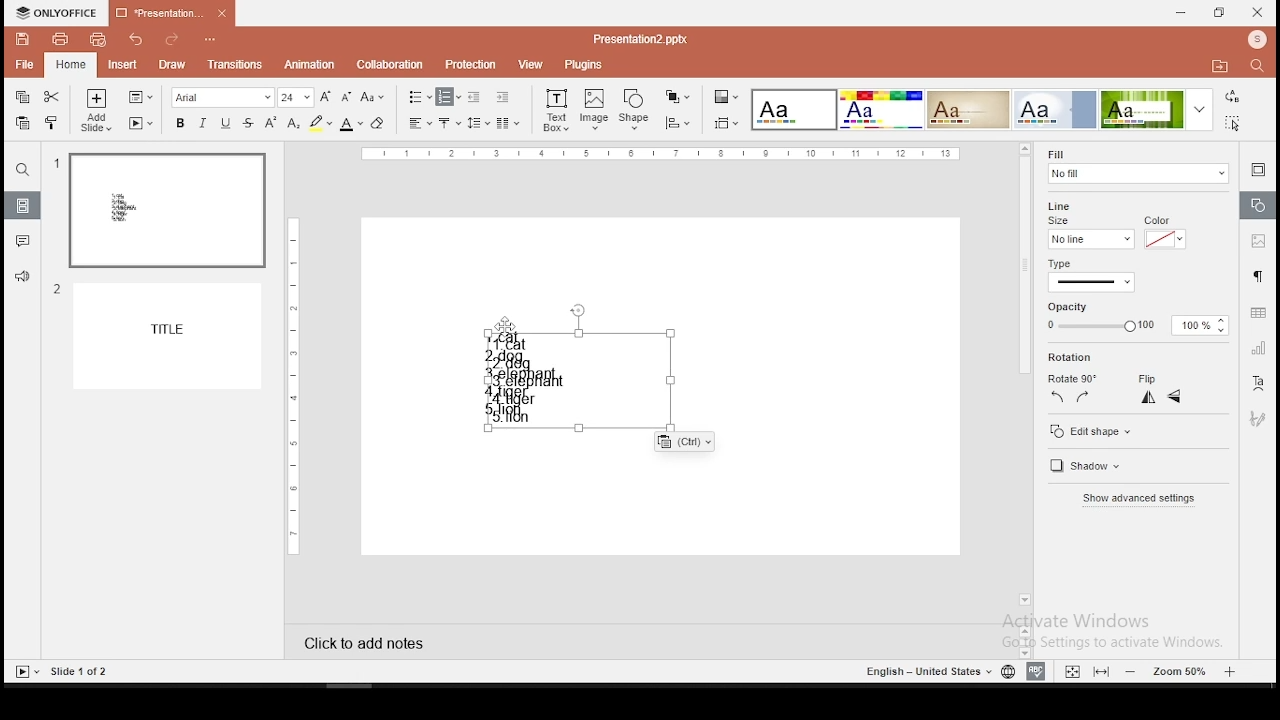 This screenshot has width=1280, height=720. I want to click on theme, so click(1157, 109).